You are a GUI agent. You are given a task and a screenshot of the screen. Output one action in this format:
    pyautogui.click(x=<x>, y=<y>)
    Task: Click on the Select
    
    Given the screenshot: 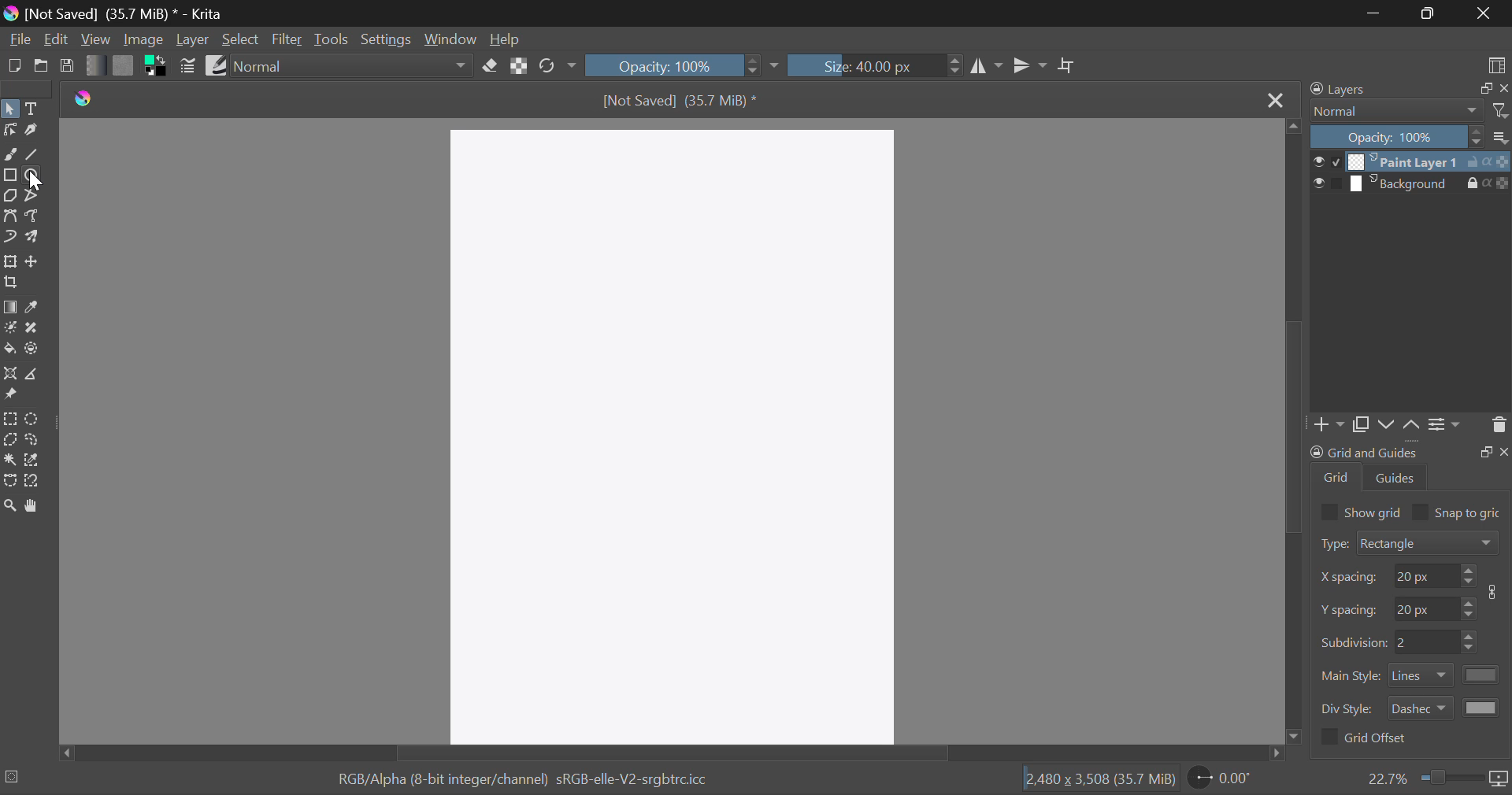 What is the action you would take?
    pyautogui.click(x=10, y=109)
    